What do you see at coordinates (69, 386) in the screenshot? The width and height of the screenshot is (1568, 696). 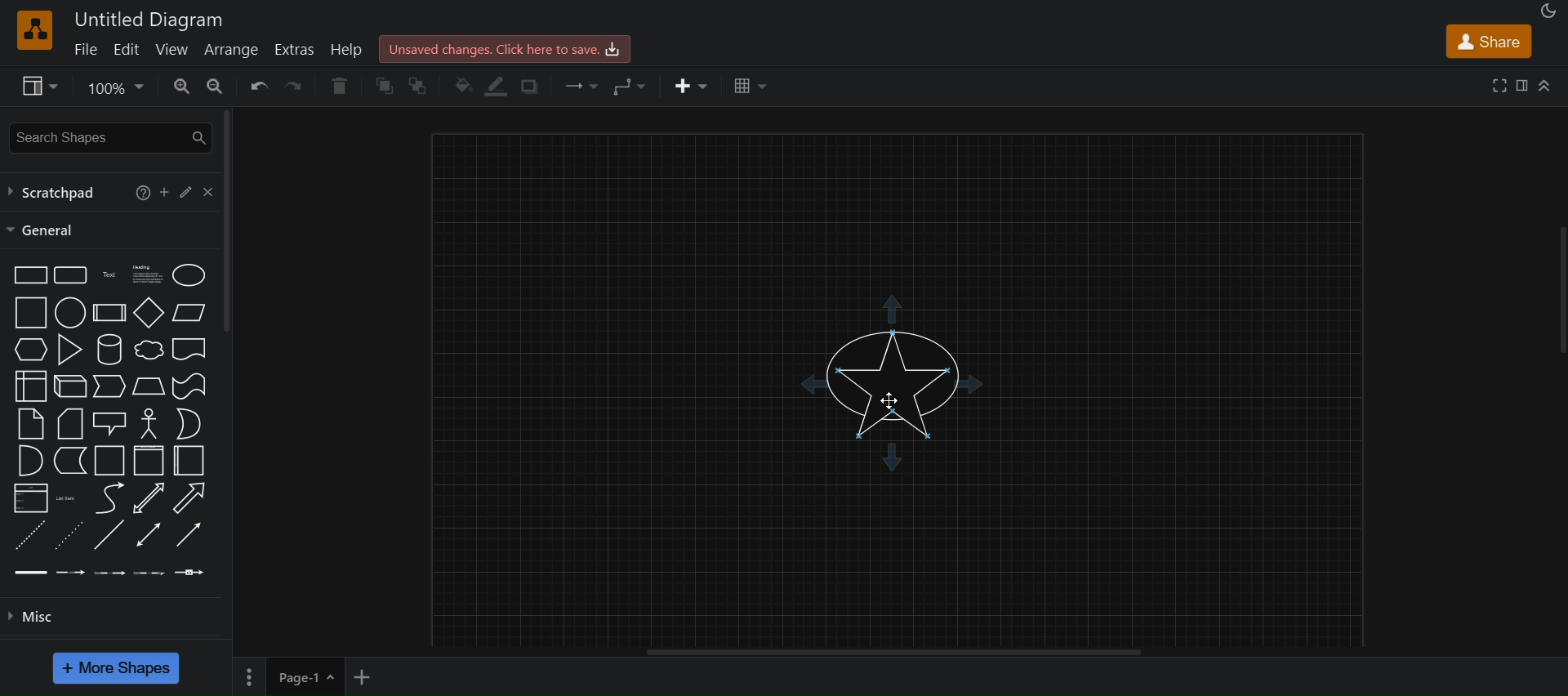 I see `cube` at bounding box center [69, 386].